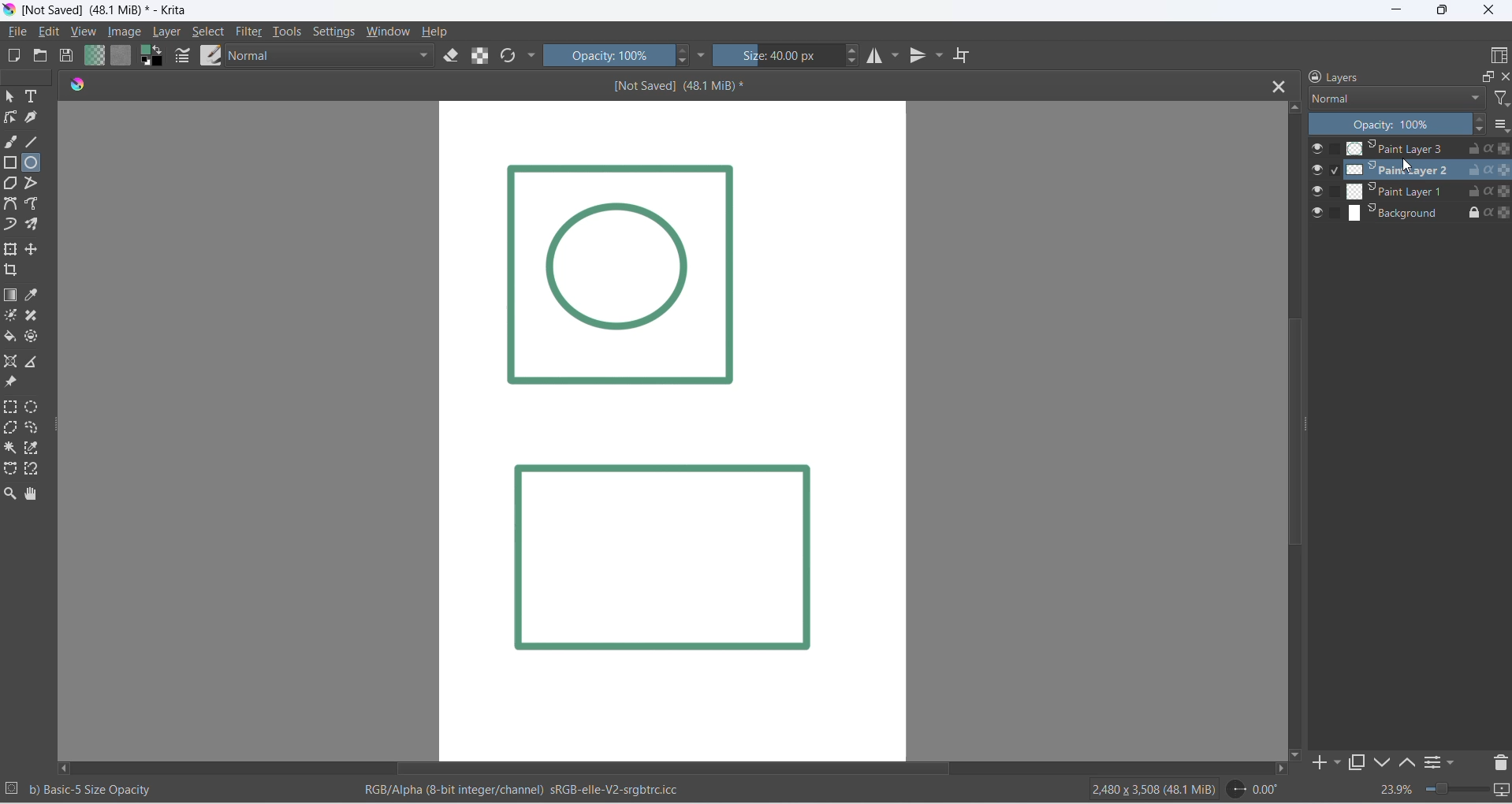  I want to click on enclose tool, so click(35, 337).